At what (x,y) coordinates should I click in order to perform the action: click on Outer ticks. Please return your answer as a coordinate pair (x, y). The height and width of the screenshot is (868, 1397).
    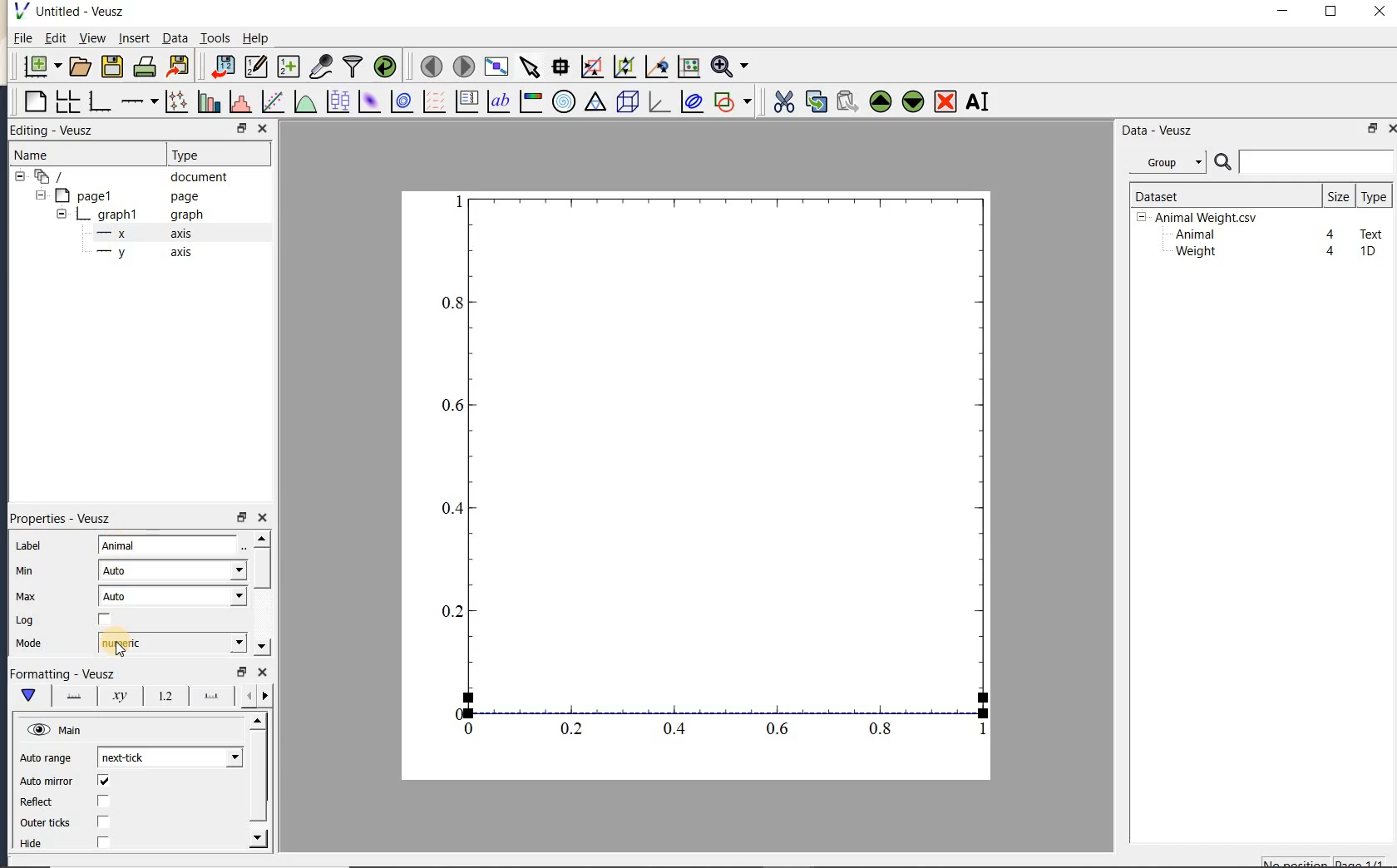
    Looking at the image, I should click on (47, 822).